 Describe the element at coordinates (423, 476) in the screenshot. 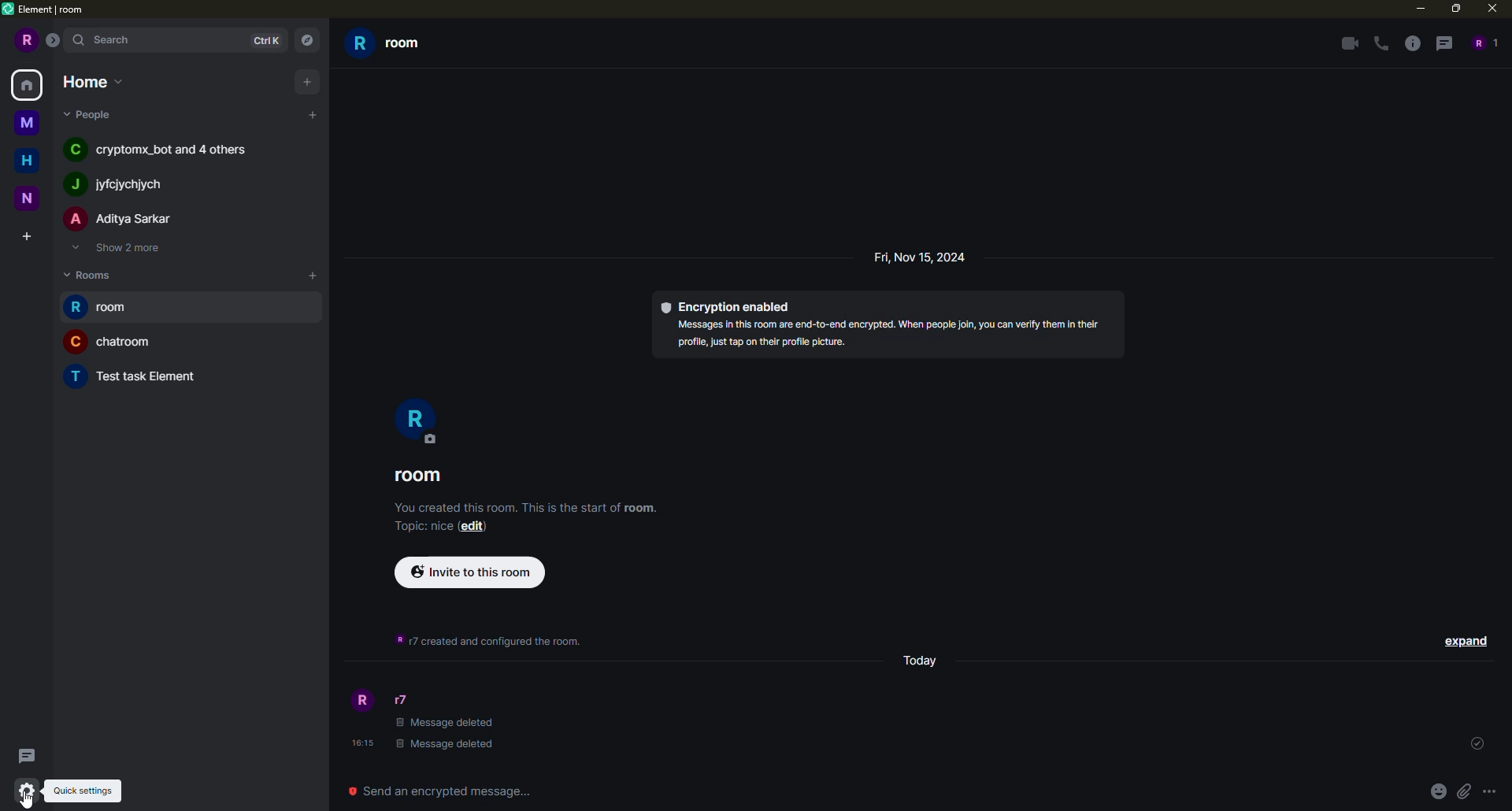

I see `room` at that location.